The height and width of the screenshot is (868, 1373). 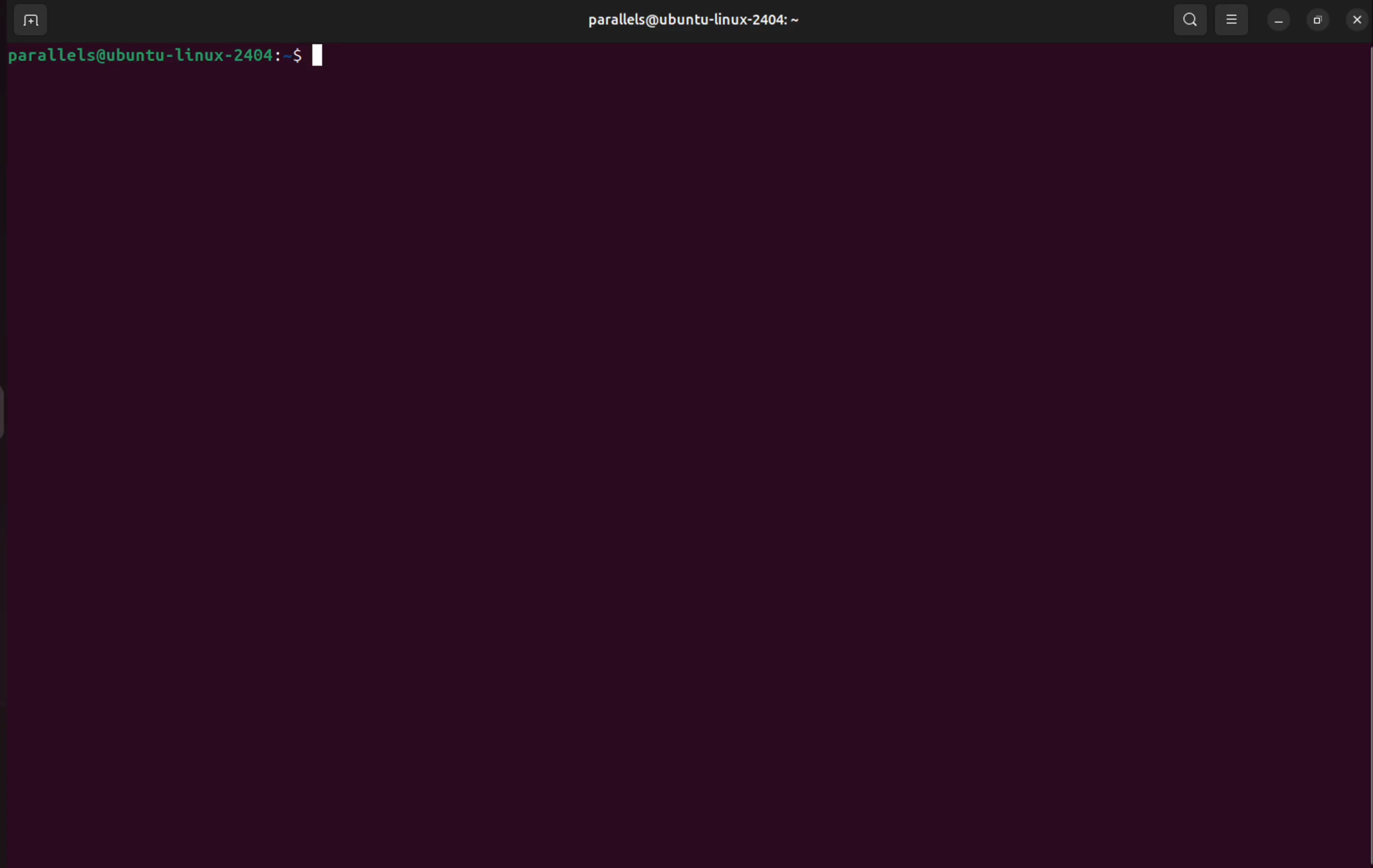 What do you see at coordinates (1277, 21) in the screenshot?
I see `minimize` at bounding box center [1277, 21].